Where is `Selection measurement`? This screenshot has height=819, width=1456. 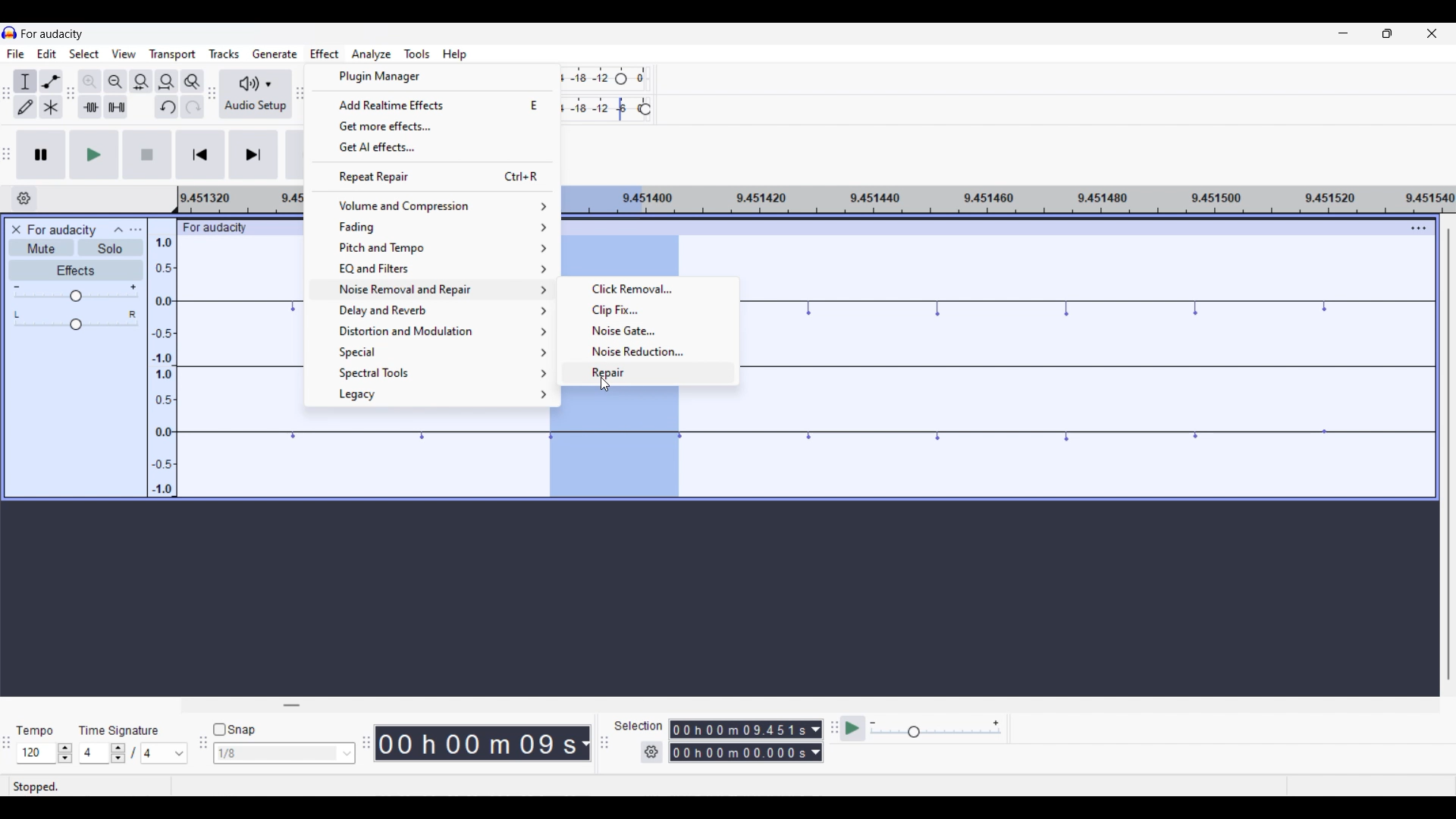
Selection measurement is located at coordinates (815, 741).